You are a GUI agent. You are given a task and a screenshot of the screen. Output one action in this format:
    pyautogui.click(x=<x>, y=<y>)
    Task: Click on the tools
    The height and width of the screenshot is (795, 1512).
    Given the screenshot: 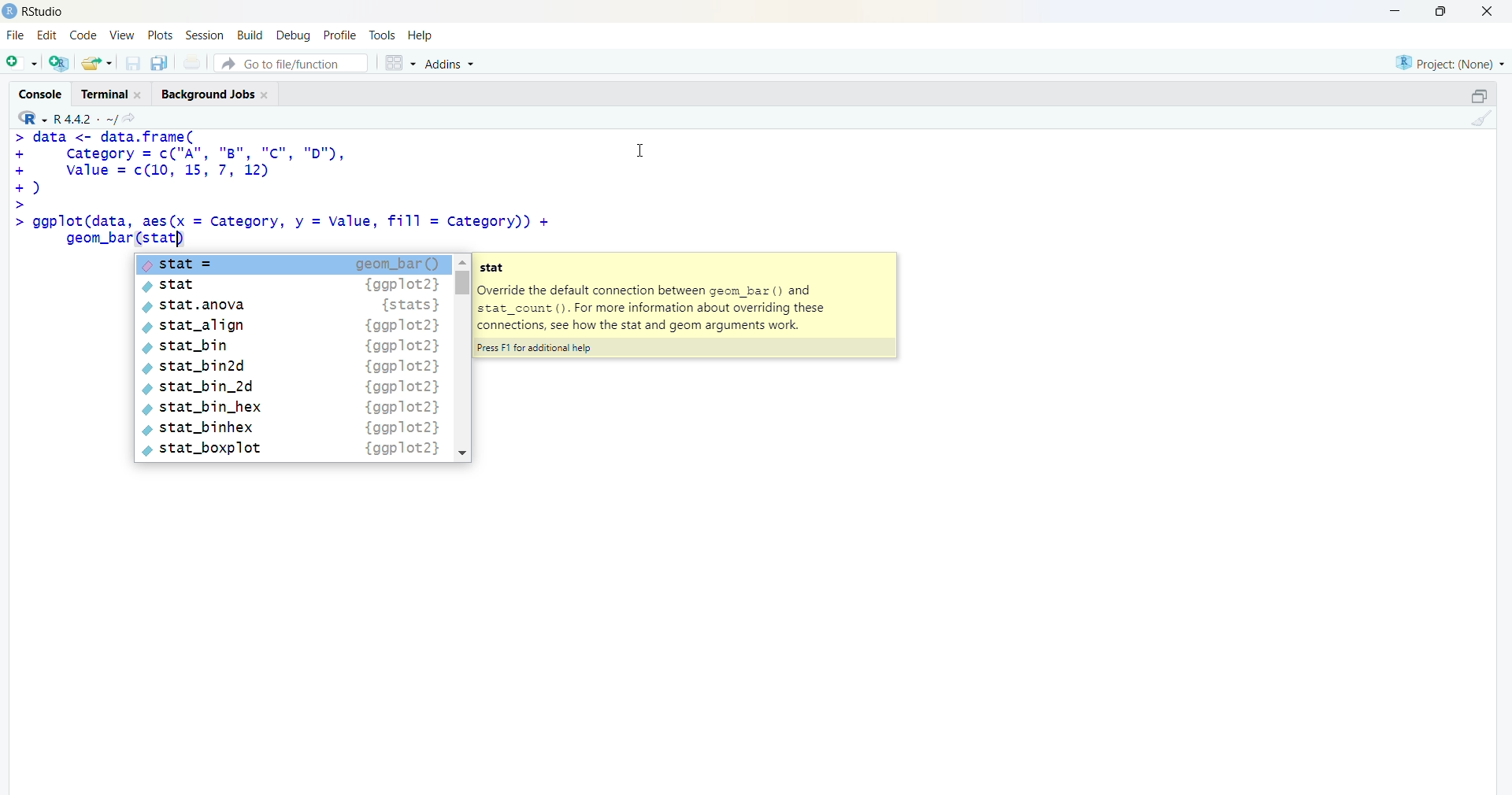 What is the action you would take?
    pyautogui.click(x=384, y=35)
    